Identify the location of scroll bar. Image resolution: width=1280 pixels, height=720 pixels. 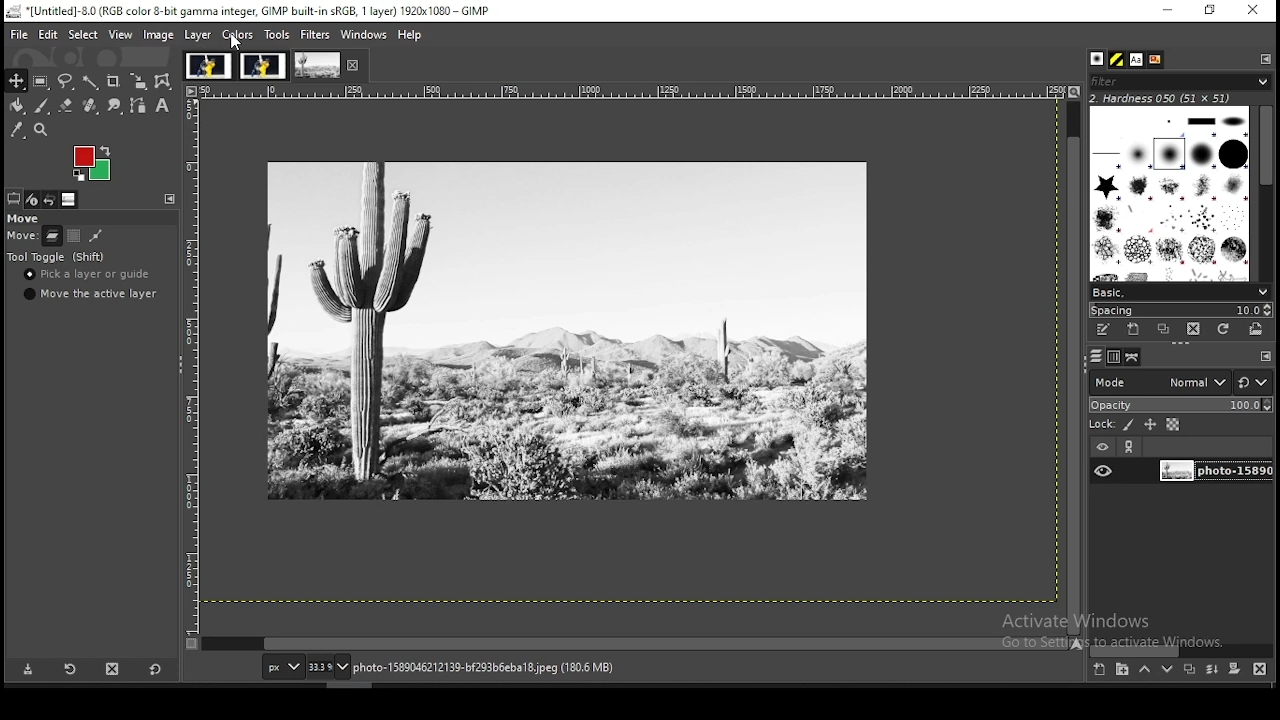
(636, 644).